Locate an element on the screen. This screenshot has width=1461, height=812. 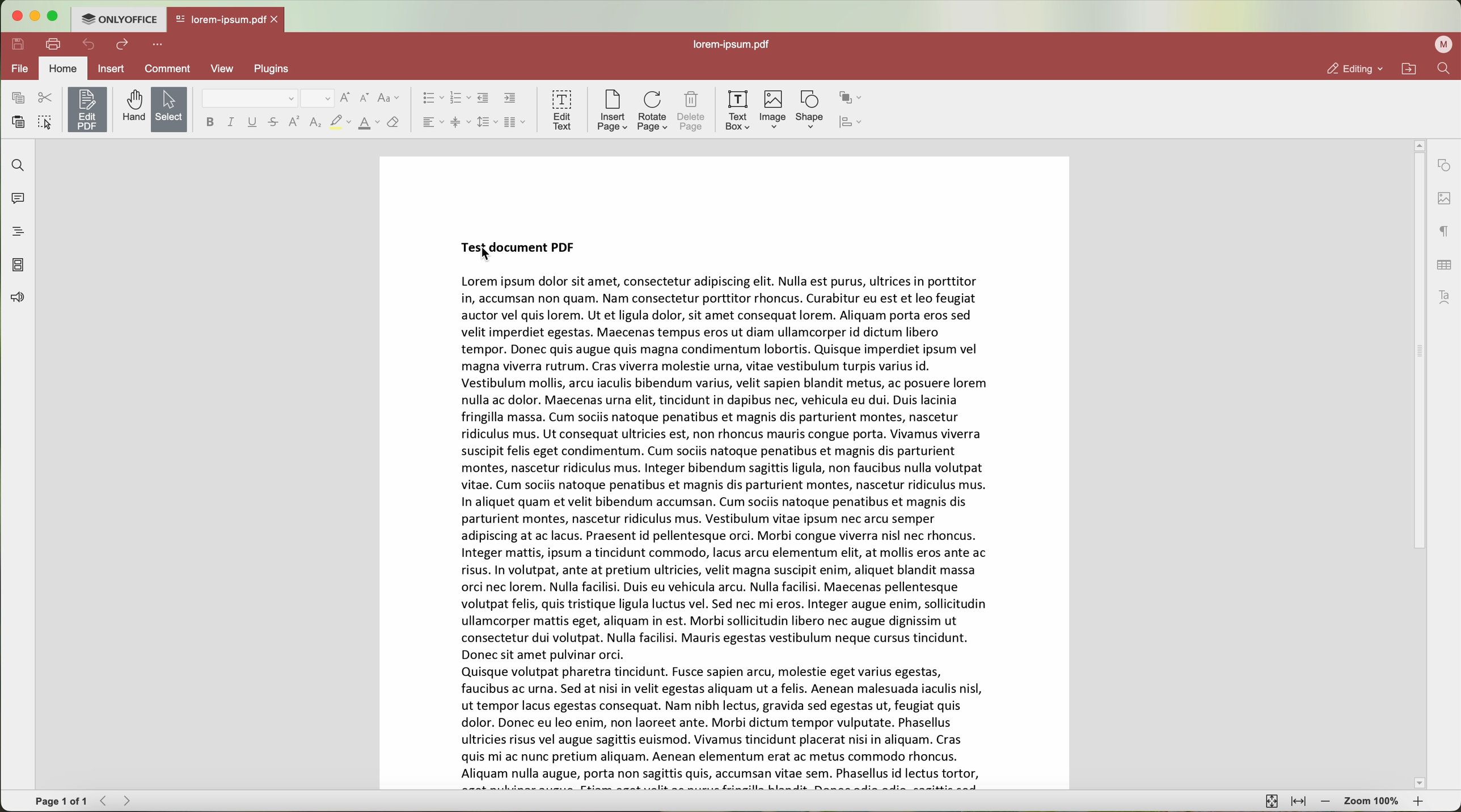
font type is located at coordinates (250, 99).